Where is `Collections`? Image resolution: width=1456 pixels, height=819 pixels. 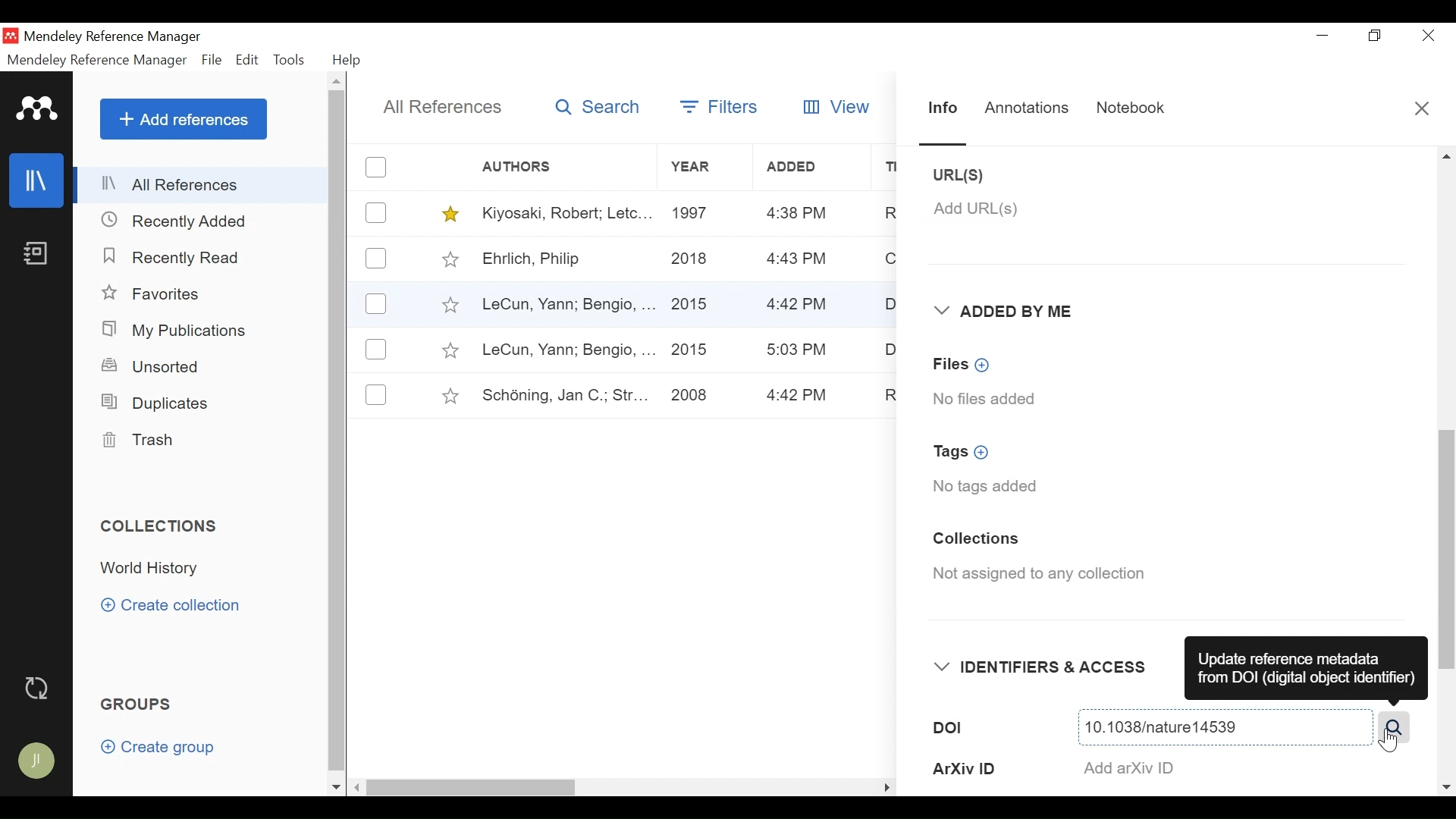 Collections is located at coordinates (165, 526).